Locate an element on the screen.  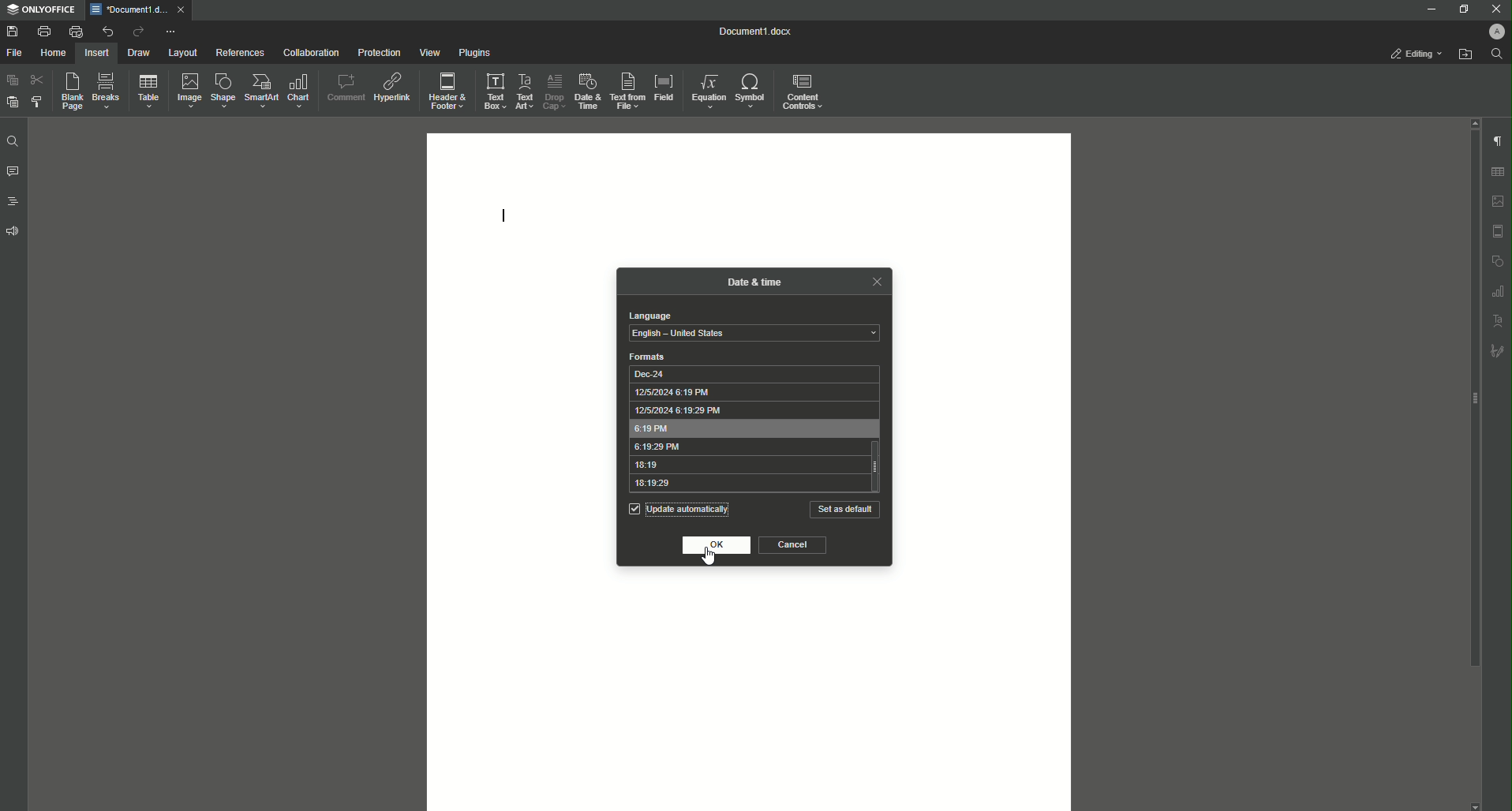
Chart is located at coordinates (301, 91).